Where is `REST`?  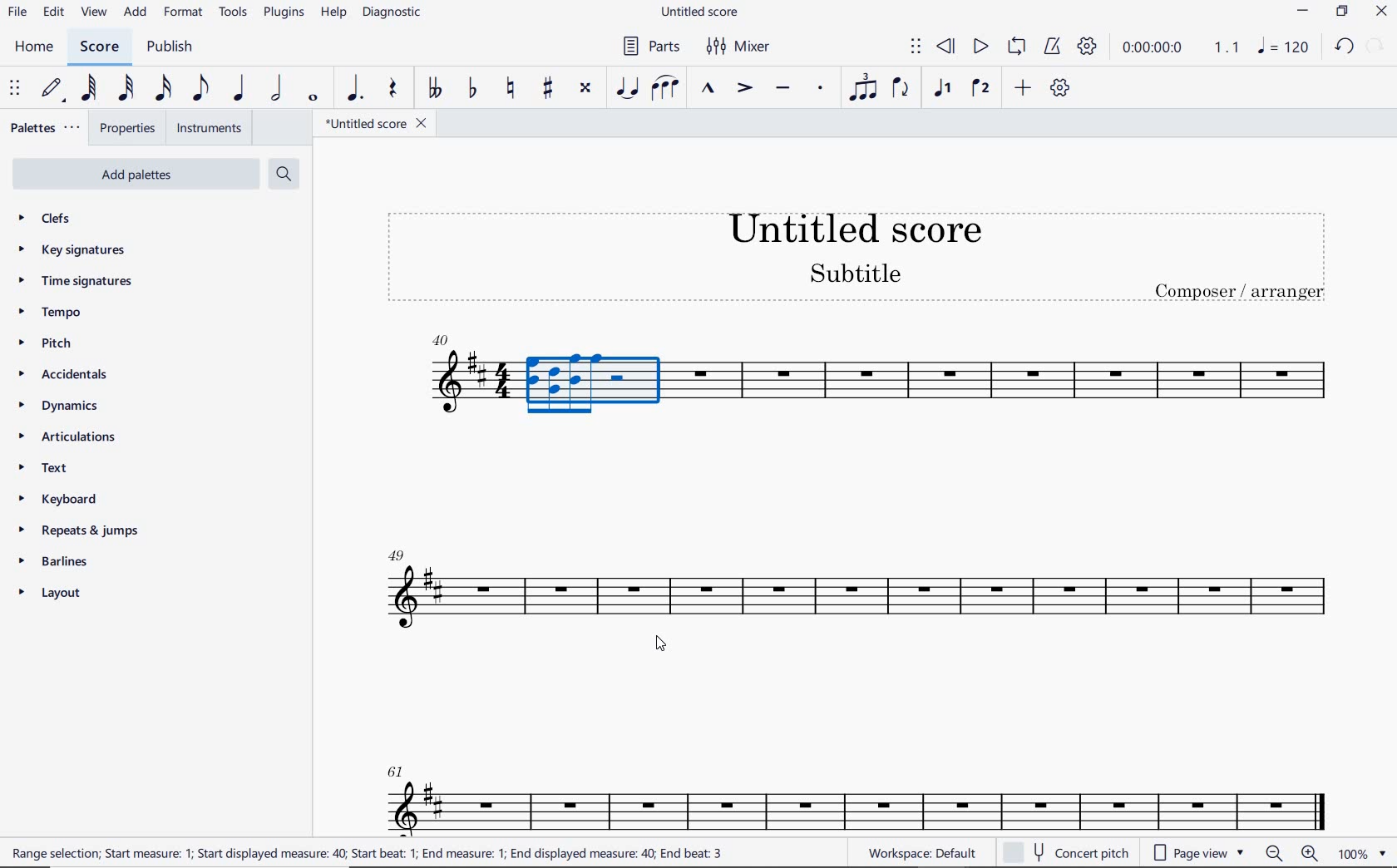
REST is located at coordinates (393, 91).